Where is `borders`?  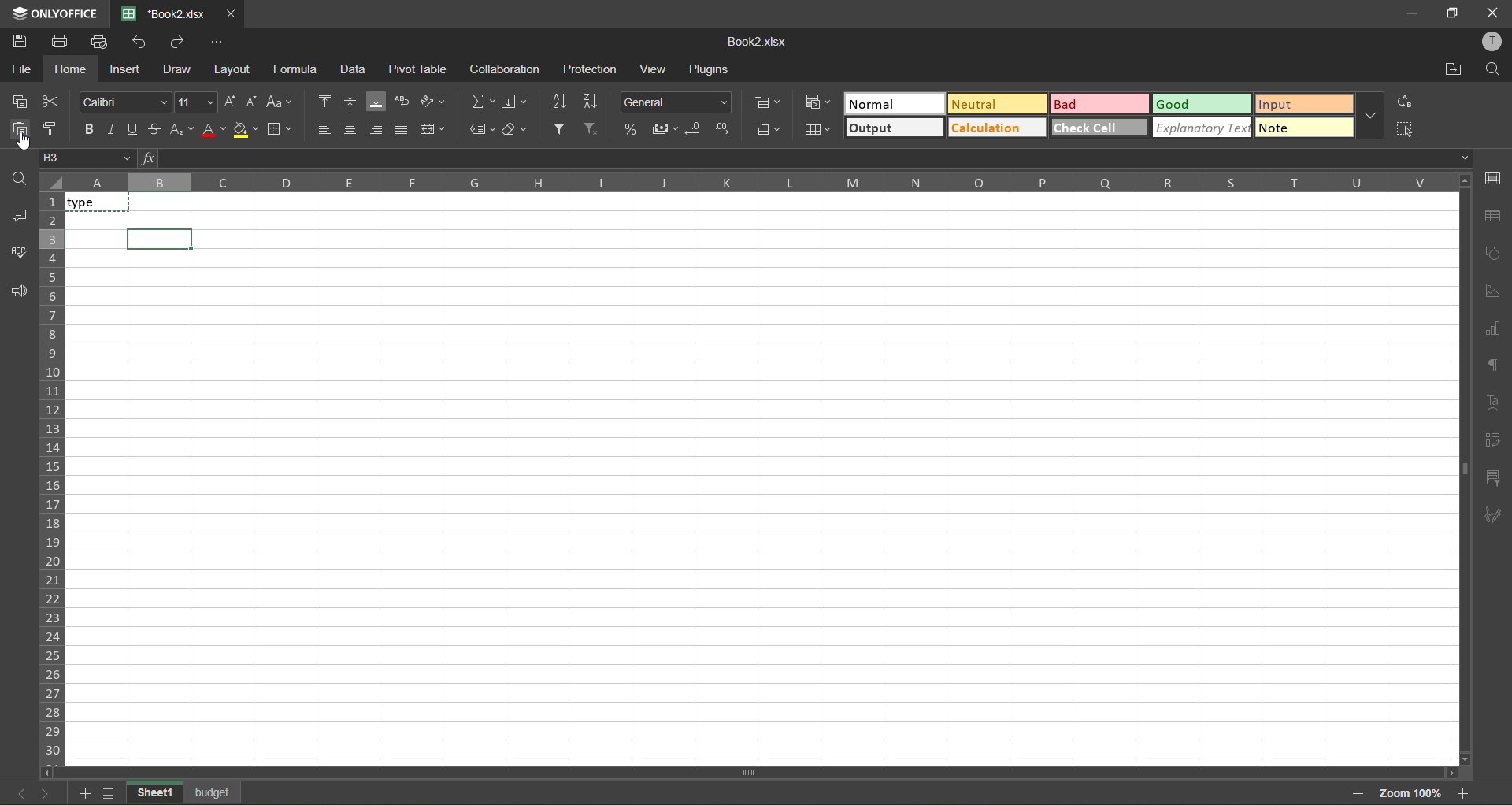 borders is located at coordinates (279, 129).